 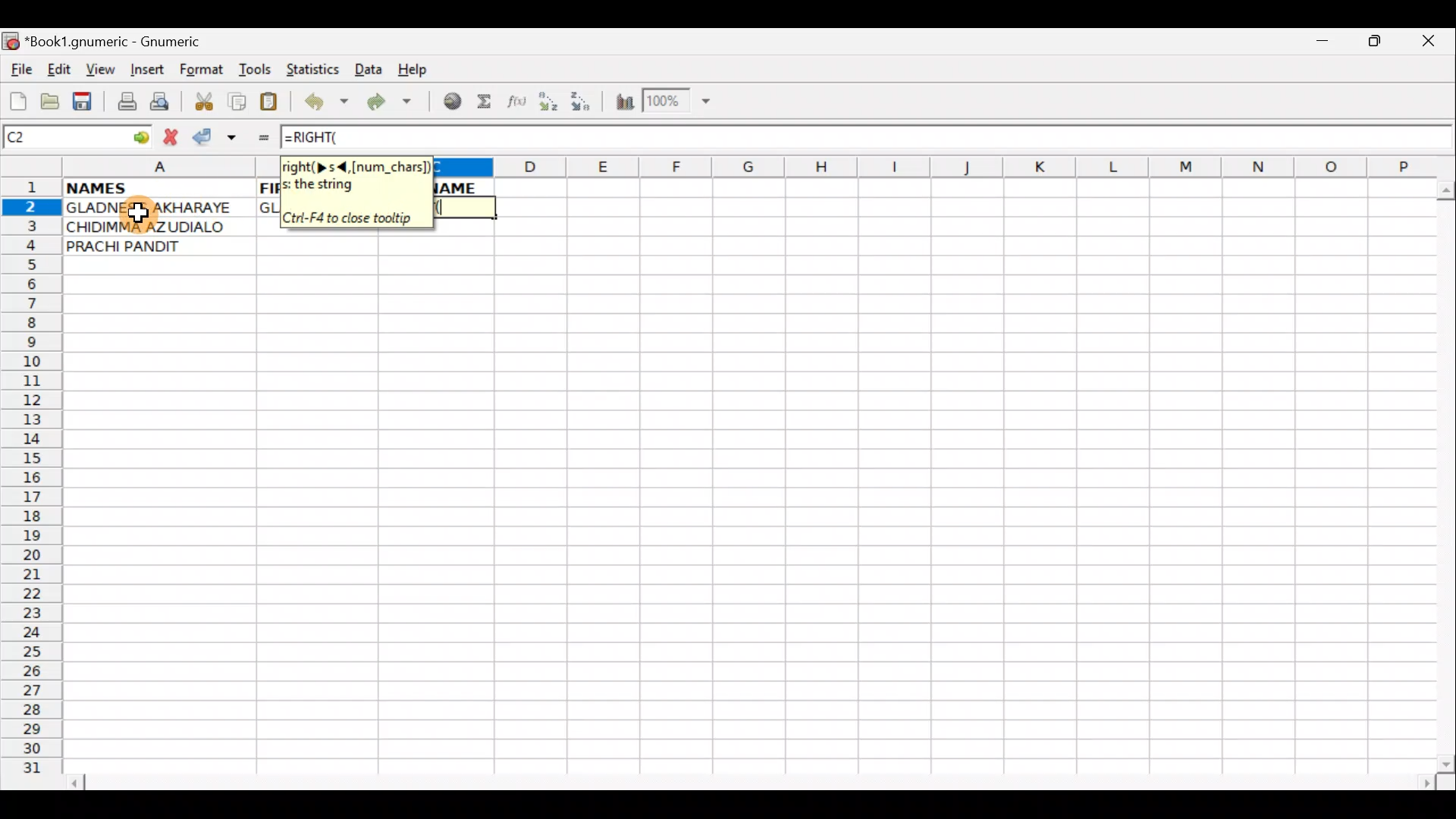 I want to click on Save current workbook, so click(x=86, y=102).